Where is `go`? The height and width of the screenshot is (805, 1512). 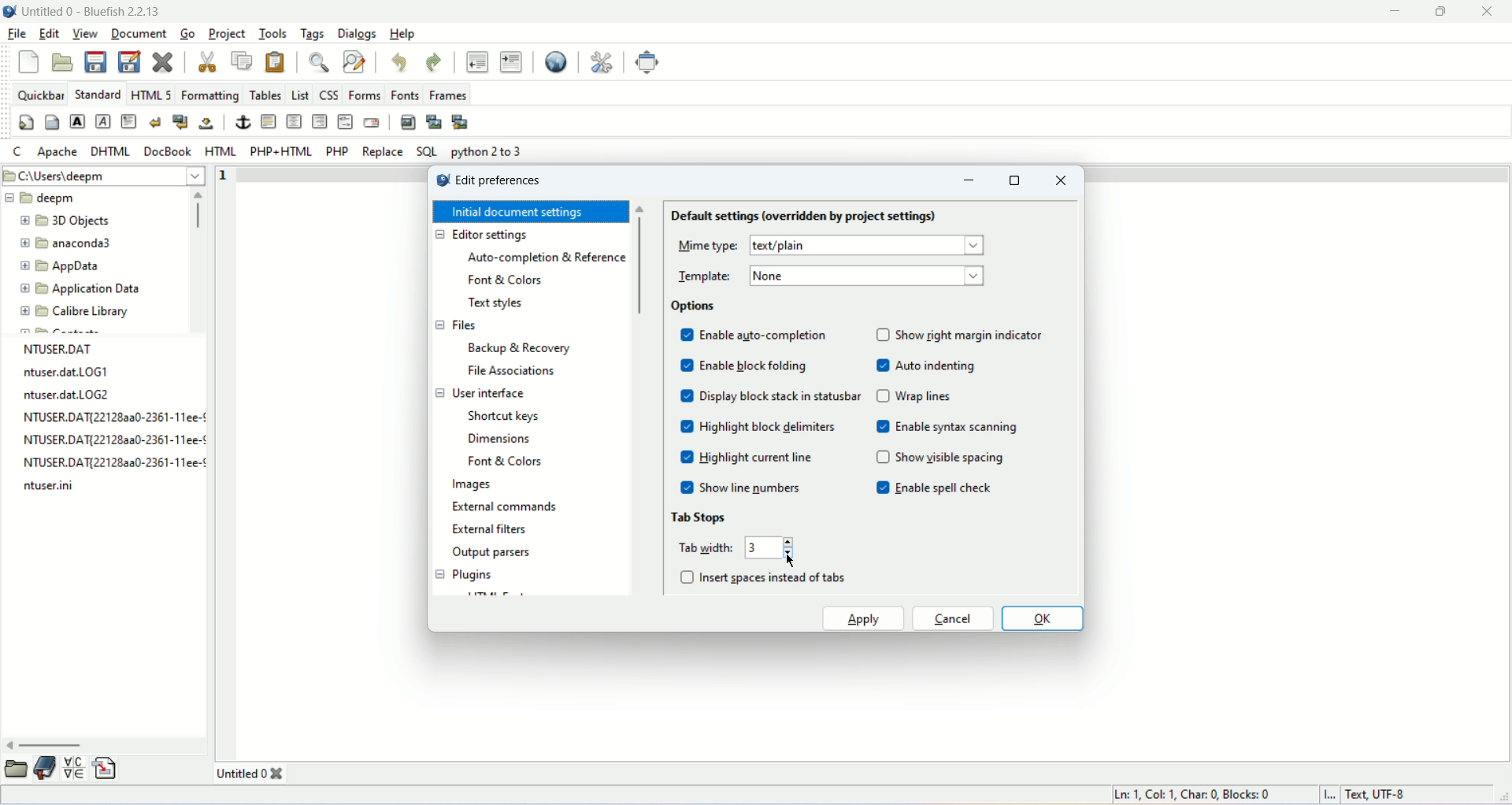 go is located at coordinates (186, 34).